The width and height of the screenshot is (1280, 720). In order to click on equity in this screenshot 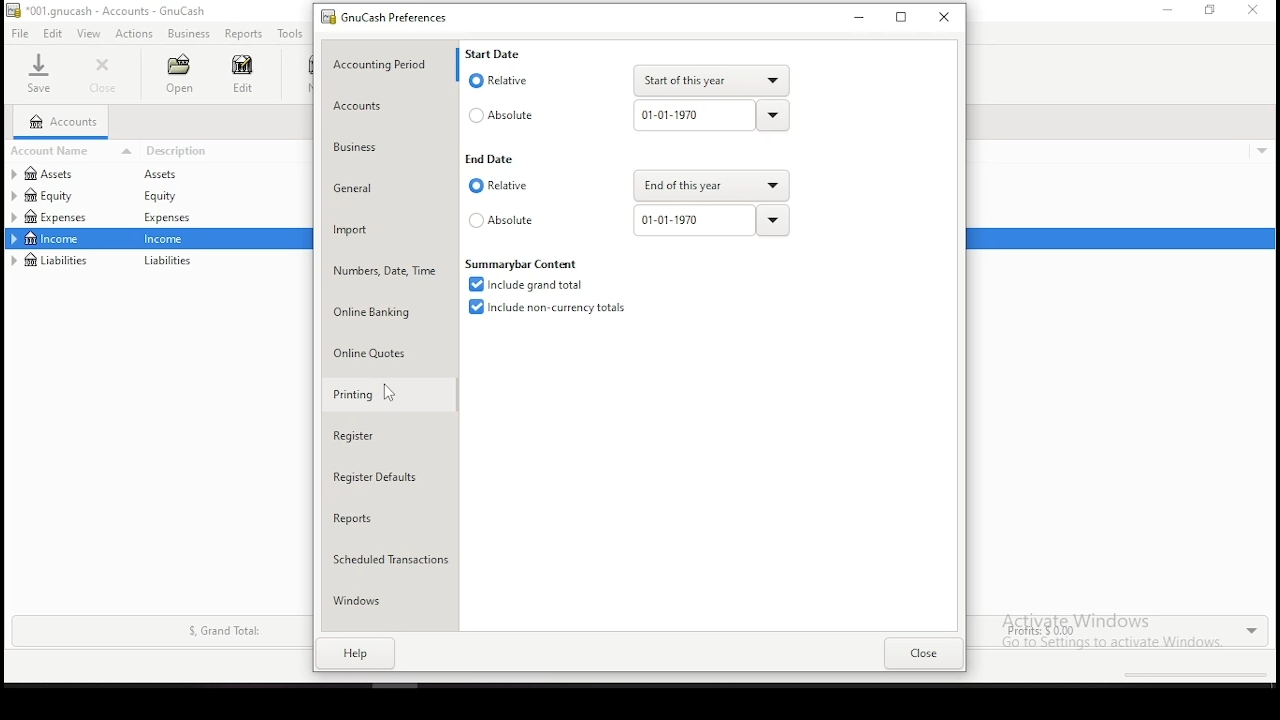, I will do `click(165, 196)`.